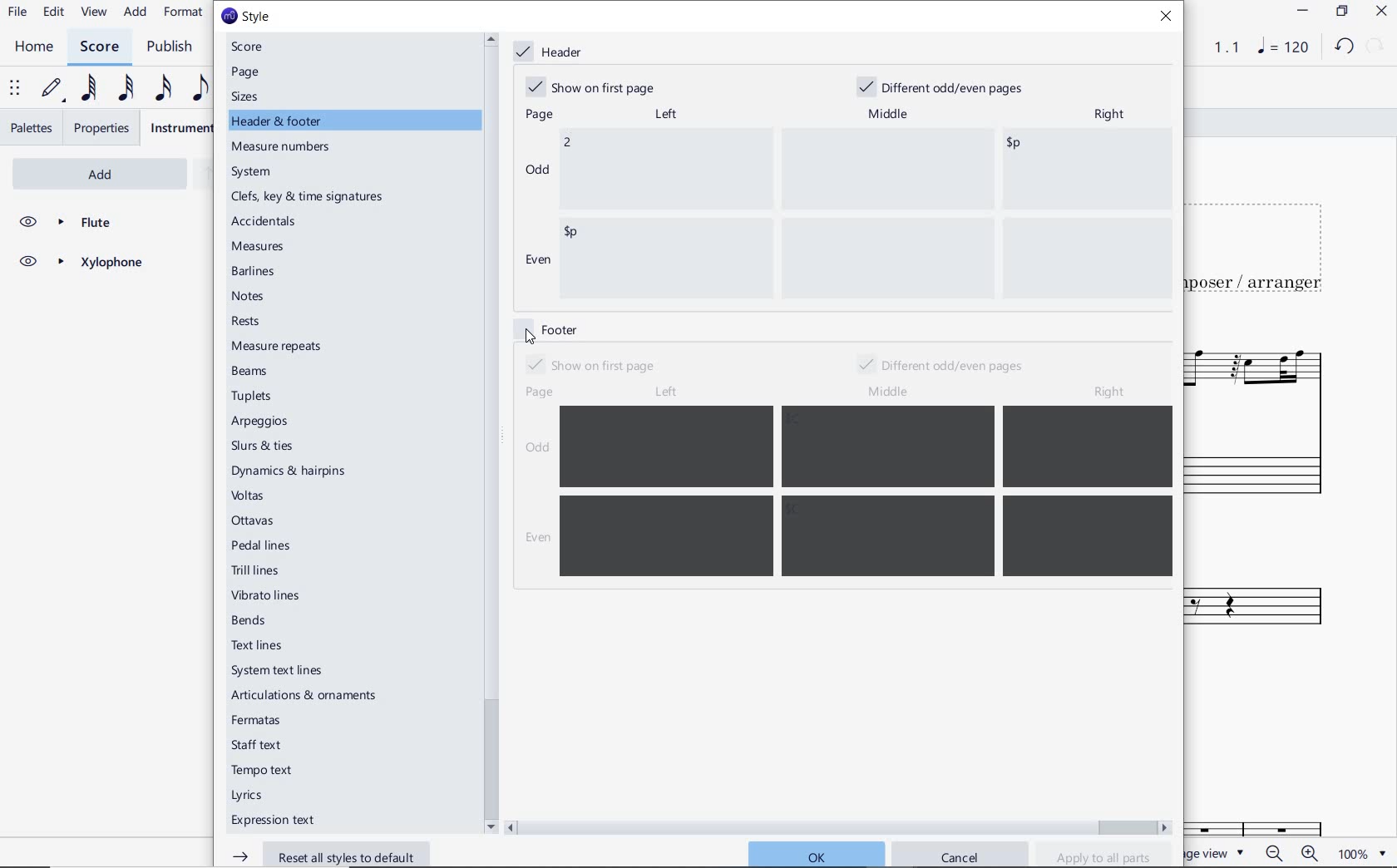  I want to click on right, so click(1113, 392).